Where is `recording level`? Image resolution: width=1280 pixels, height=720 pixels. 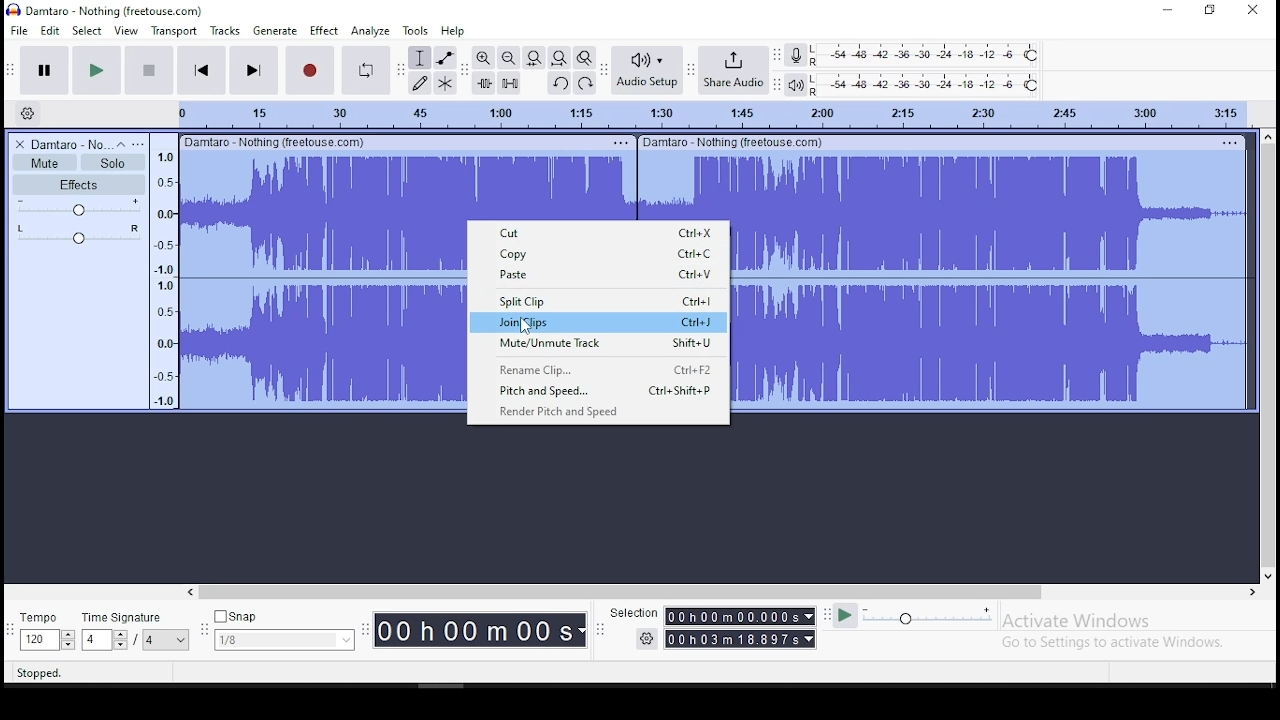
recording level is located at coordinates (925, 55).